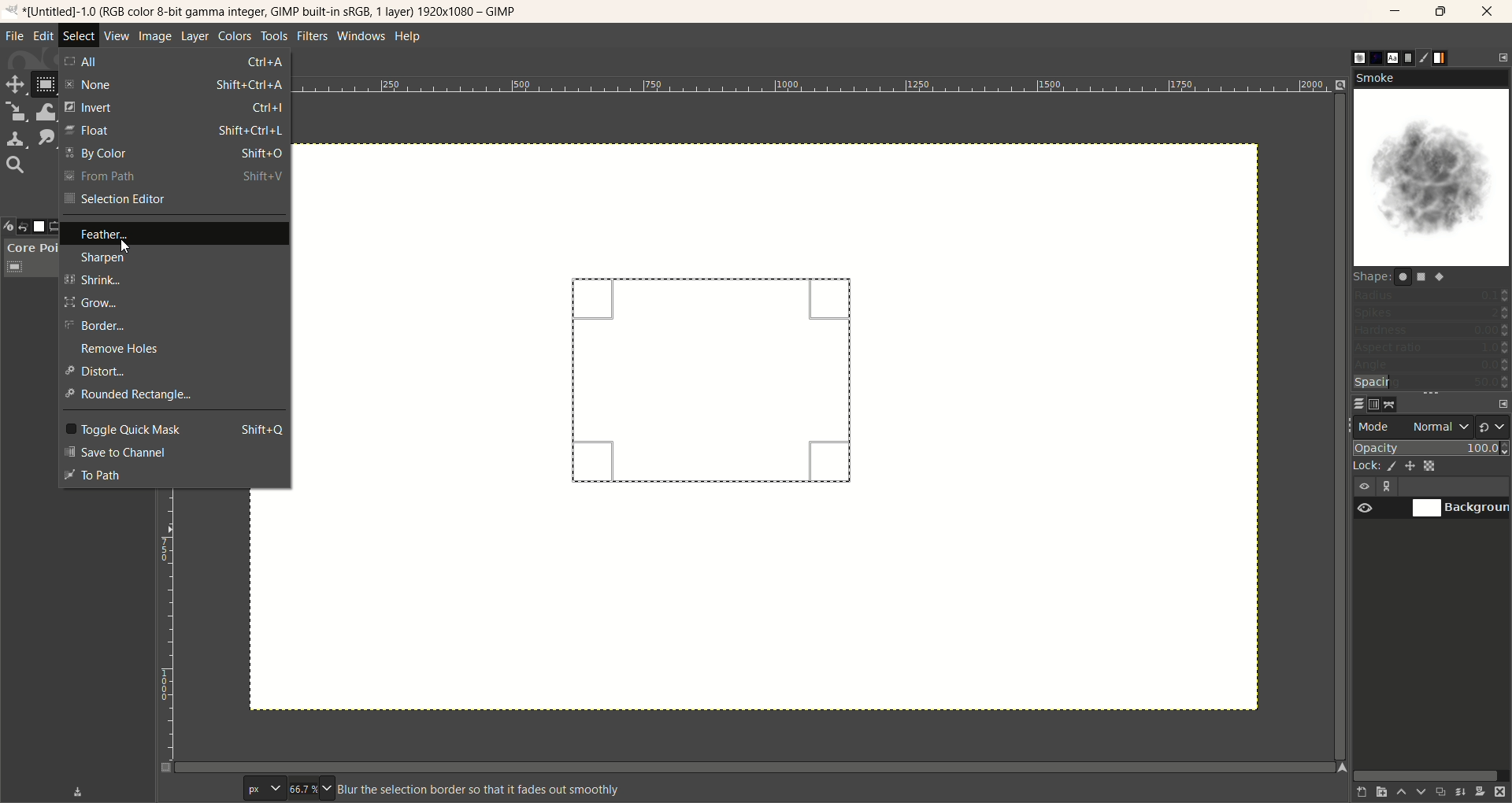 This screenshot has width=1512, height=803. What do you see at coordinates (78, 35) in the screenshot?
I see `select` at bounding box center [78, 35].